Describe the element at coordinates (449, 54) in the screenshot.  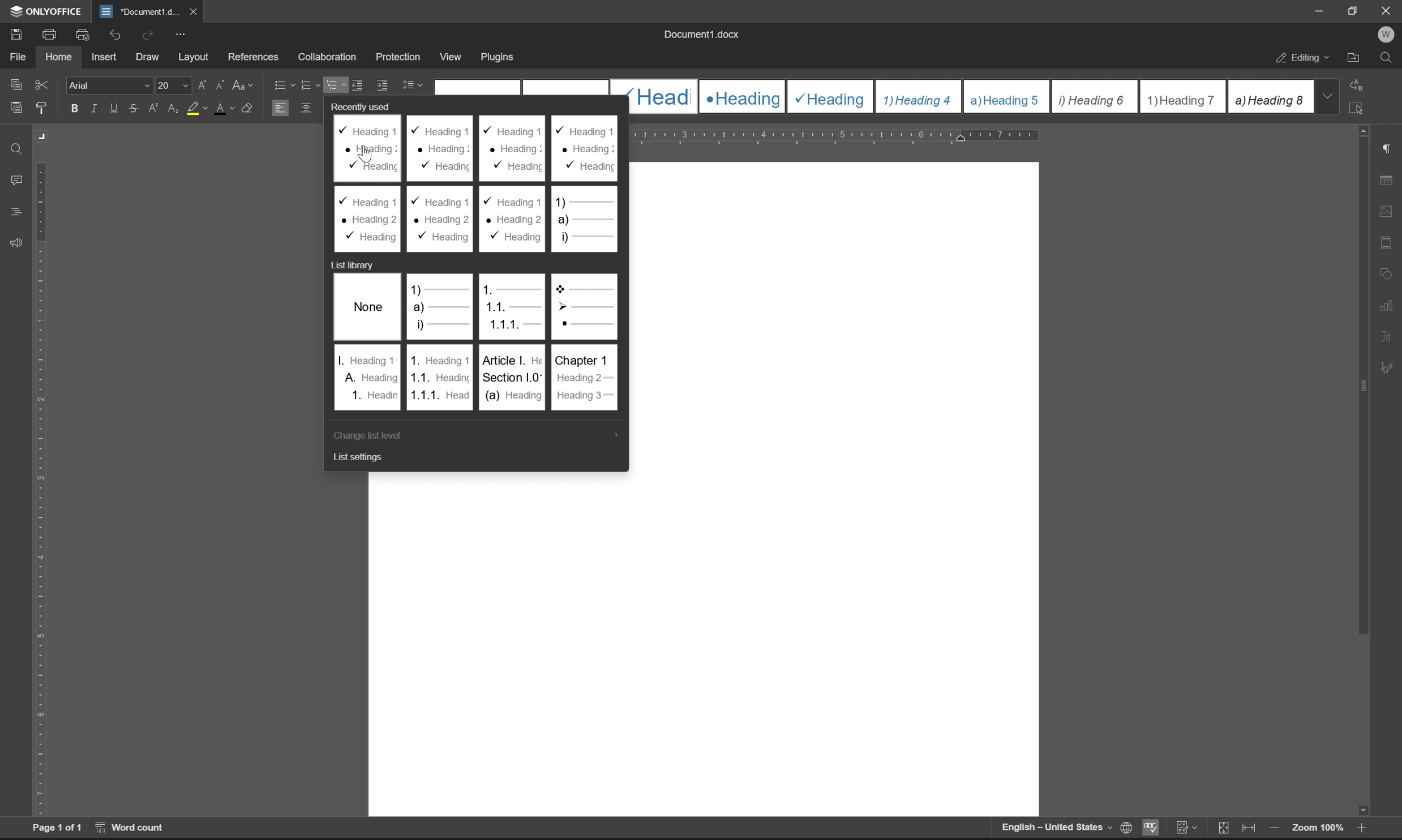
I see `view` at that location.